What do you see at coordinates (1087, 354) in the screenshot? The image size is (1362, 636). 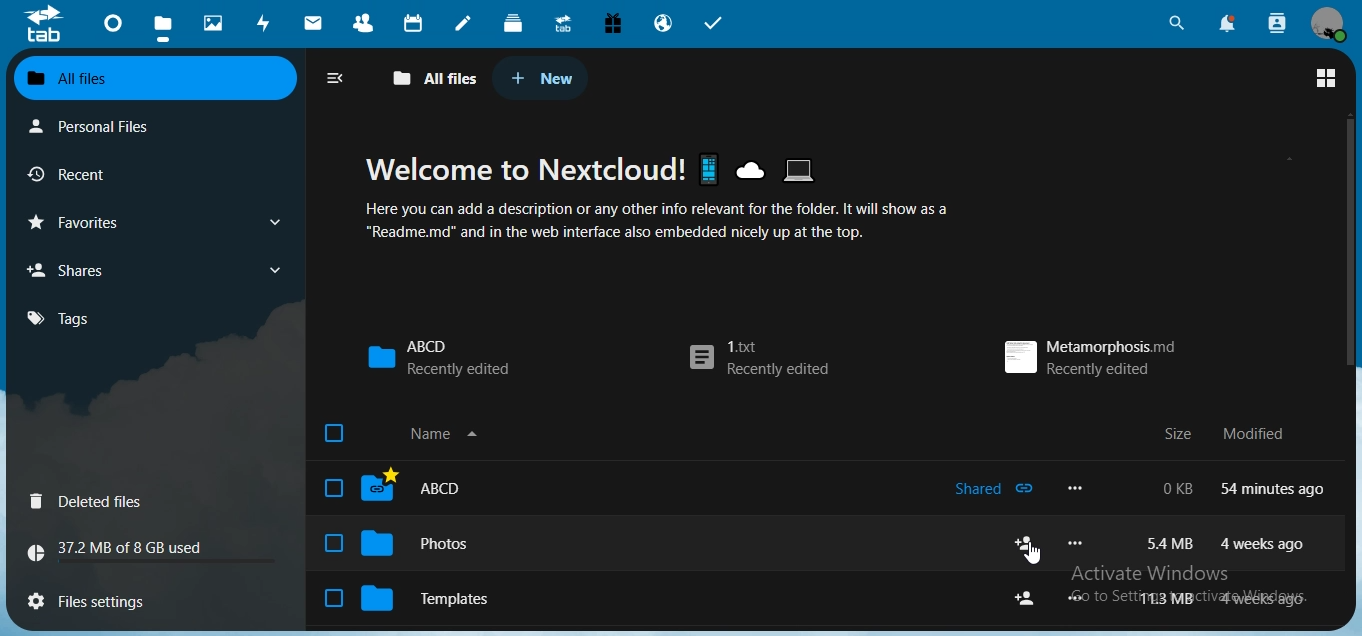 I see `metamorphosis.md` at bounding box center [1087, 354].